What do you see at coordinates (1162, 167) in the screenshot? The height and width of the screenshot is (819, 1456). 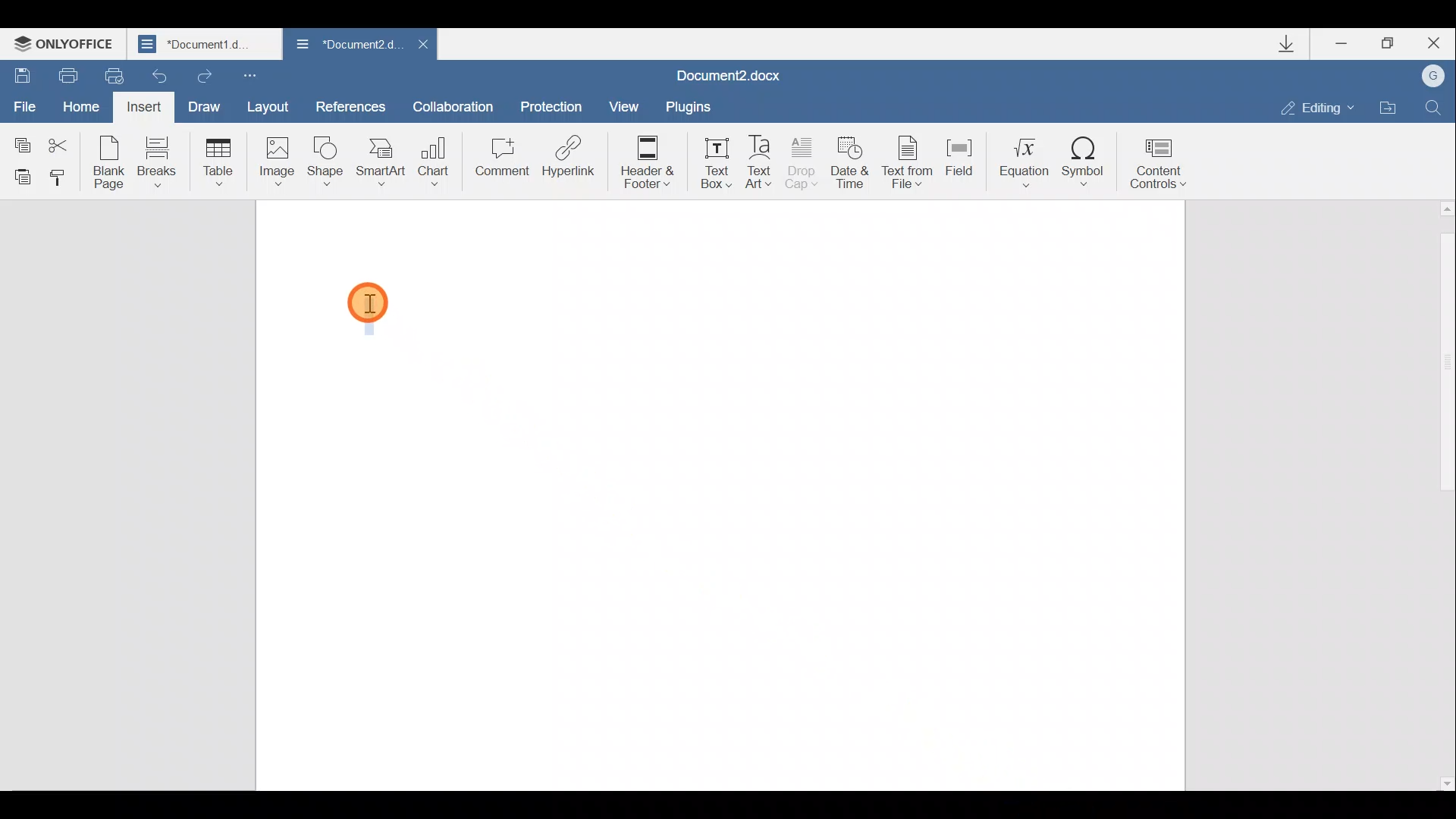 I see `Content controls` at bounding box center [1162, 167].